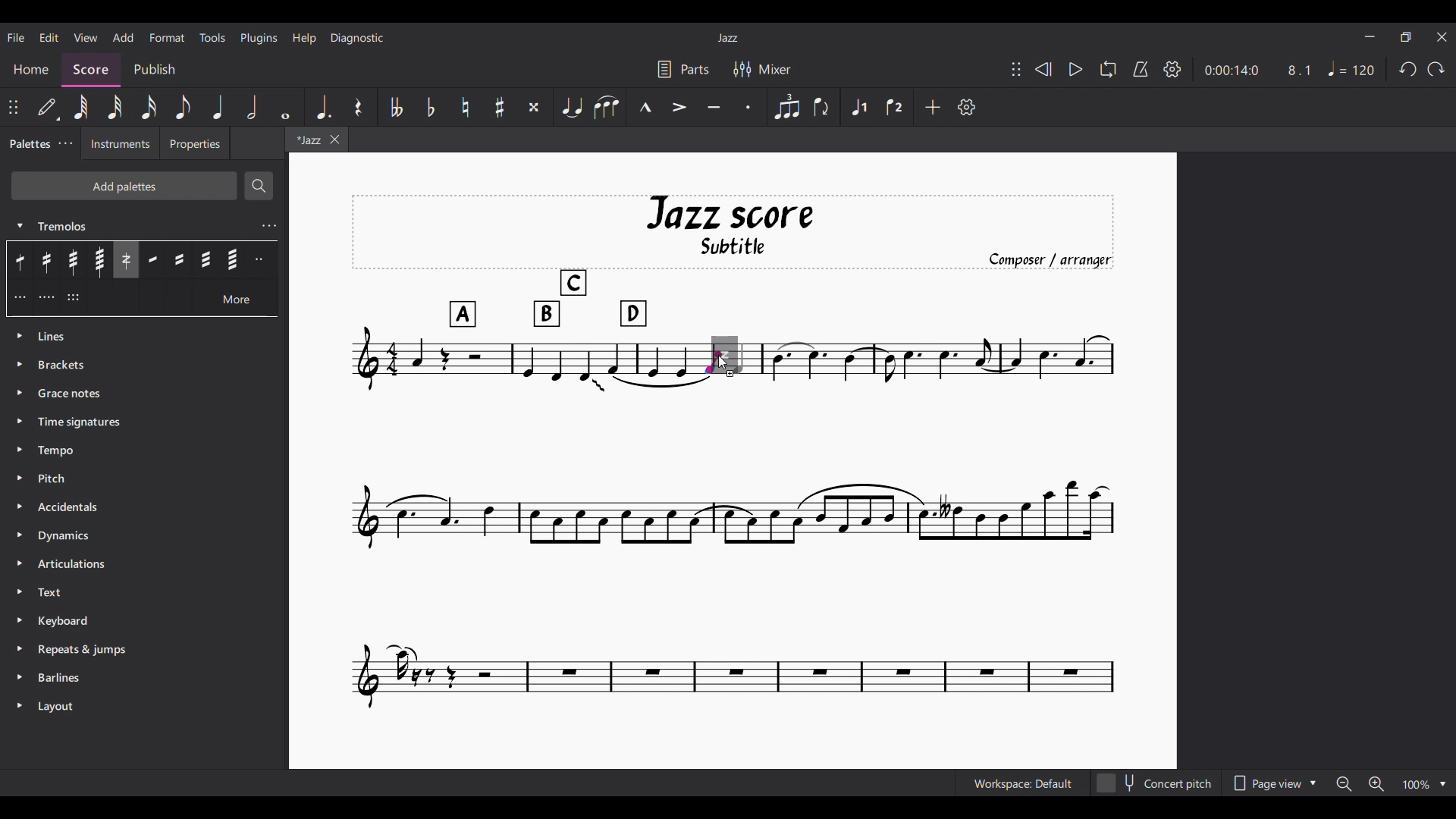  I want to click on Augmentation dot, so click(322, 107).